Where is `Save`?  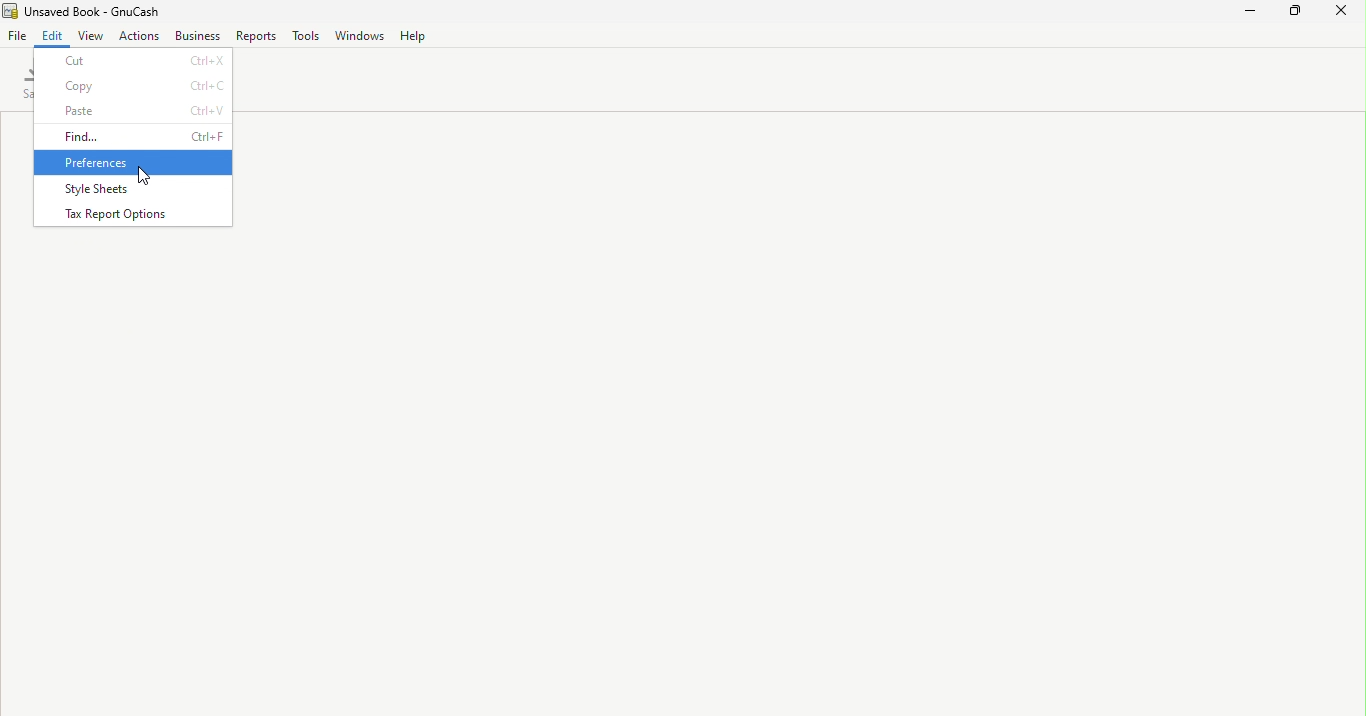
Save is located at coordinates (24, 85).